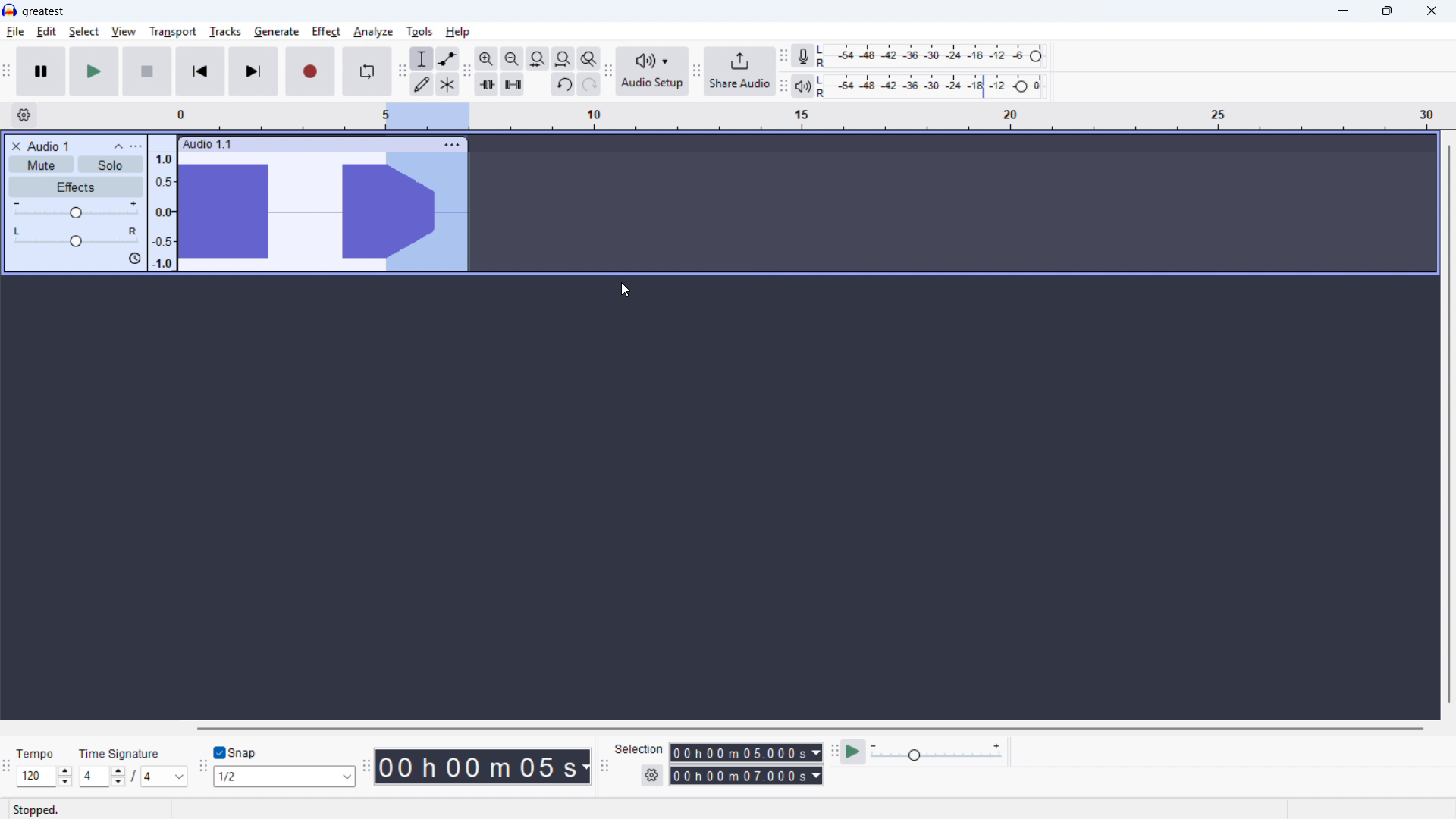  What do you see at coordinates (77, 187) in the screenshot?
I see `Effects ` at bounding box center [77, 187].